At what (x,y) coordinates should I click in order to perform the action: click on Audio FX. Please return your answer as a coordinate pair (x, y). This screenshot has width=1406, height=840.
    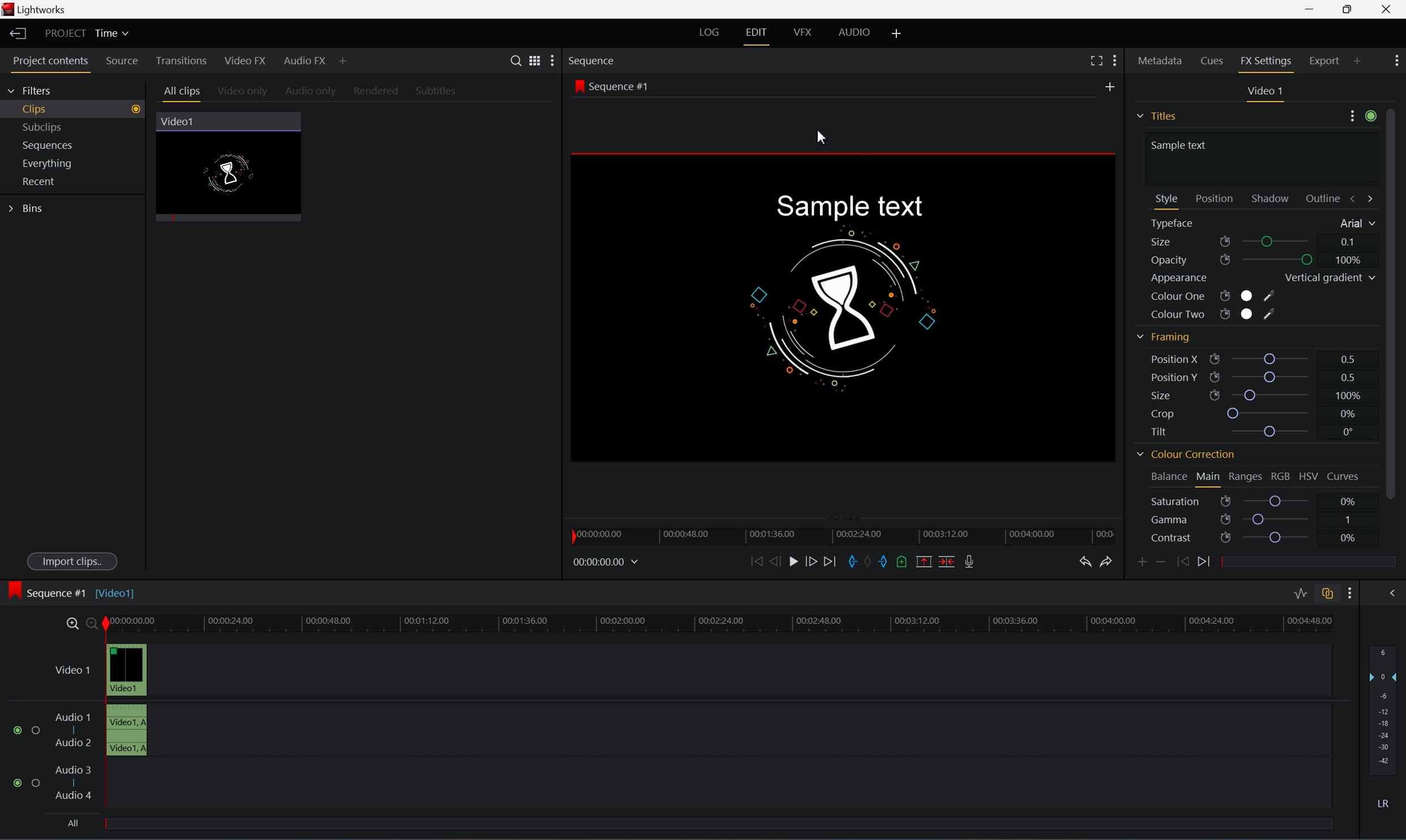
    Looking at the image, I should click on (306, 62).